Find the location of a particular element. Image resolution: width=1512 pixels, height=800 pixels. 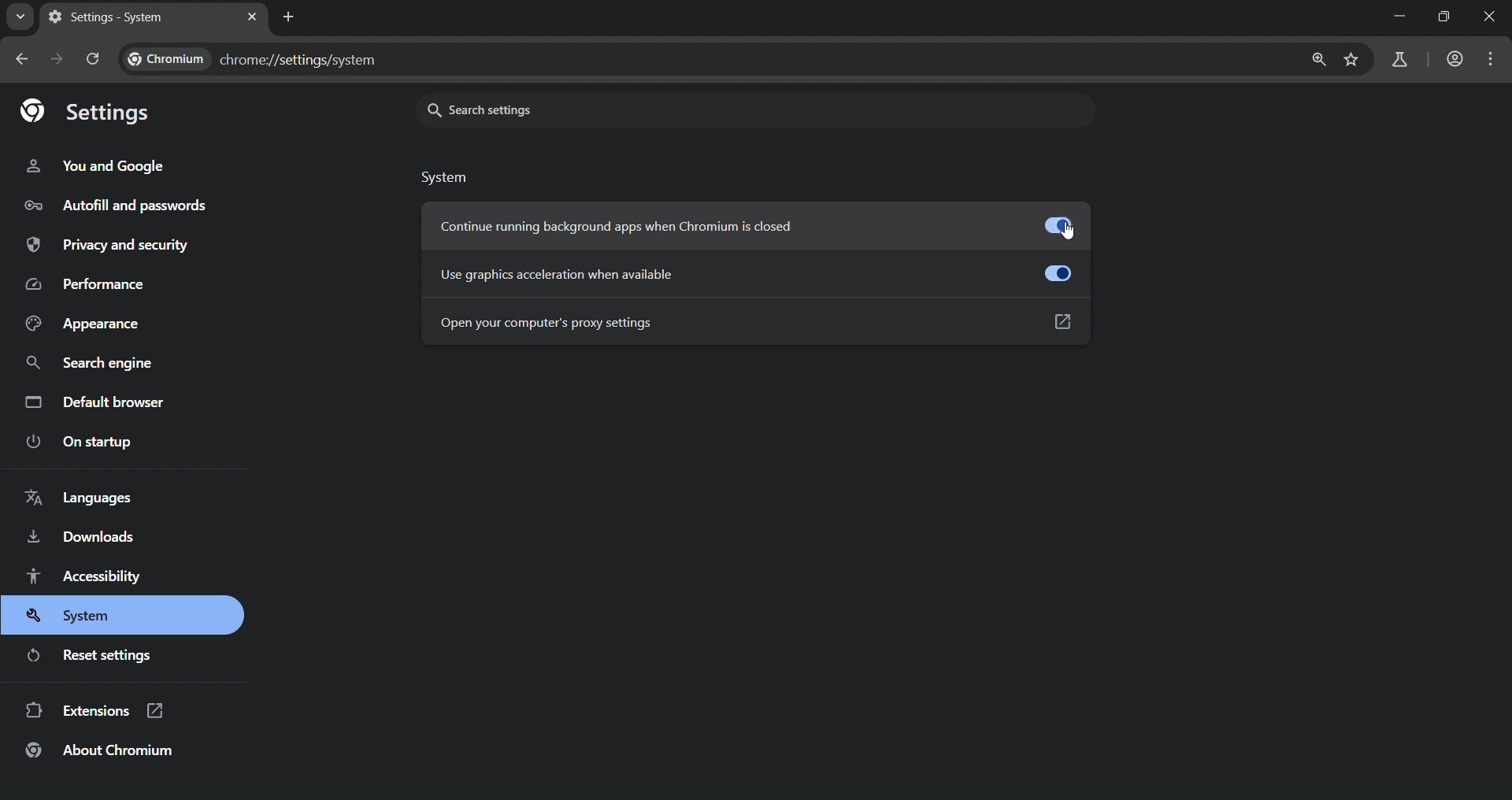

search engine is located at coordinates (94, 361).